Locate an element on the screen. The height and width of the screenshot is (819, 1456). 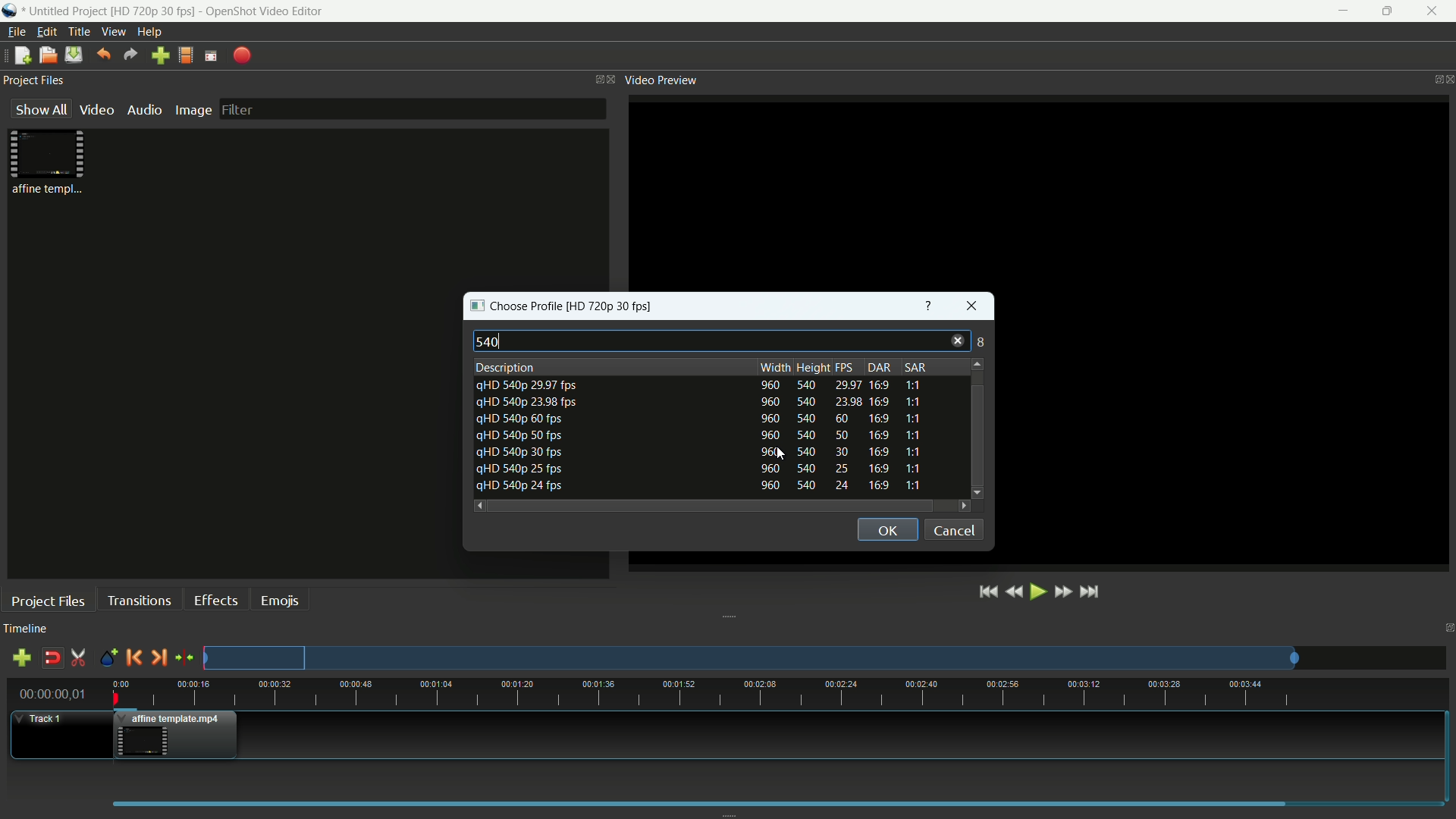
close project files is located at coordinates (613, 79).